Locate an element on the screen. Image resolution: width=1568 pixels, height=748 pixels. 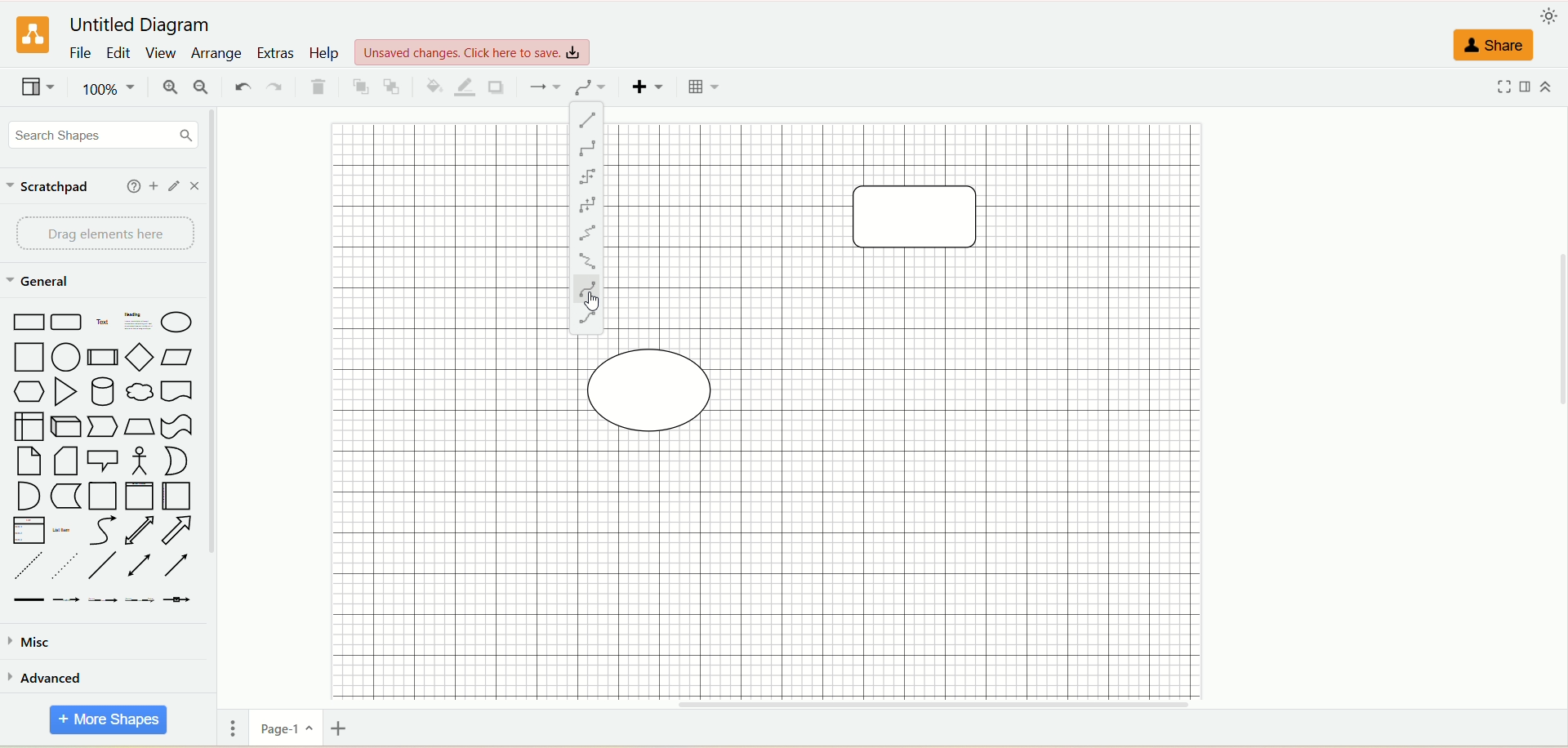
zoom factor is located at coordinates (107, 91).